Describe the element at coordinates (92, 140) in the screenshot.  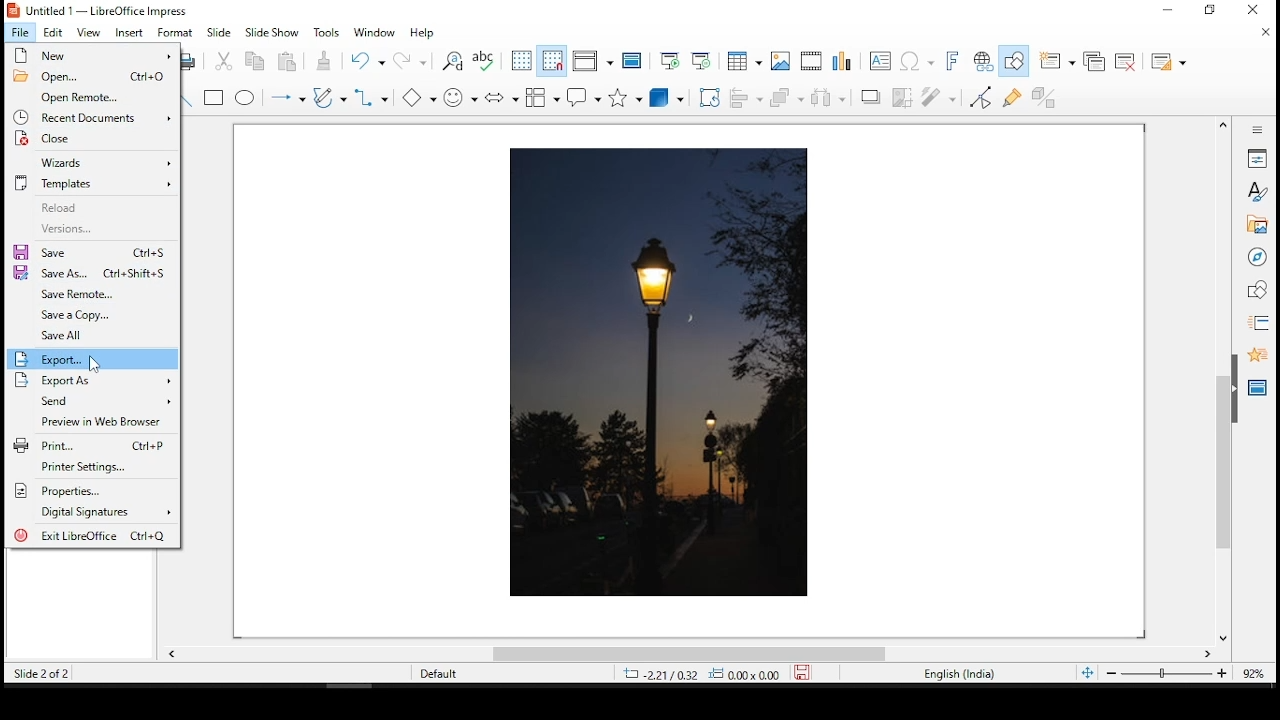
I see `close` at that location.